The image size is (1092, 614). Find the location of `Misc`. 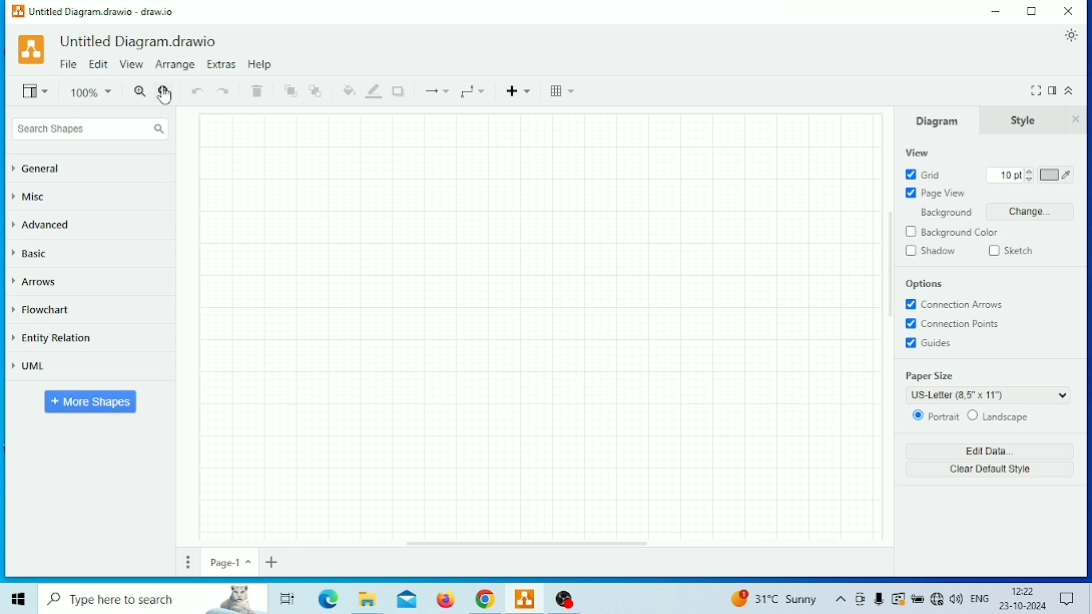

Misc is located at coordinates (31, 197).